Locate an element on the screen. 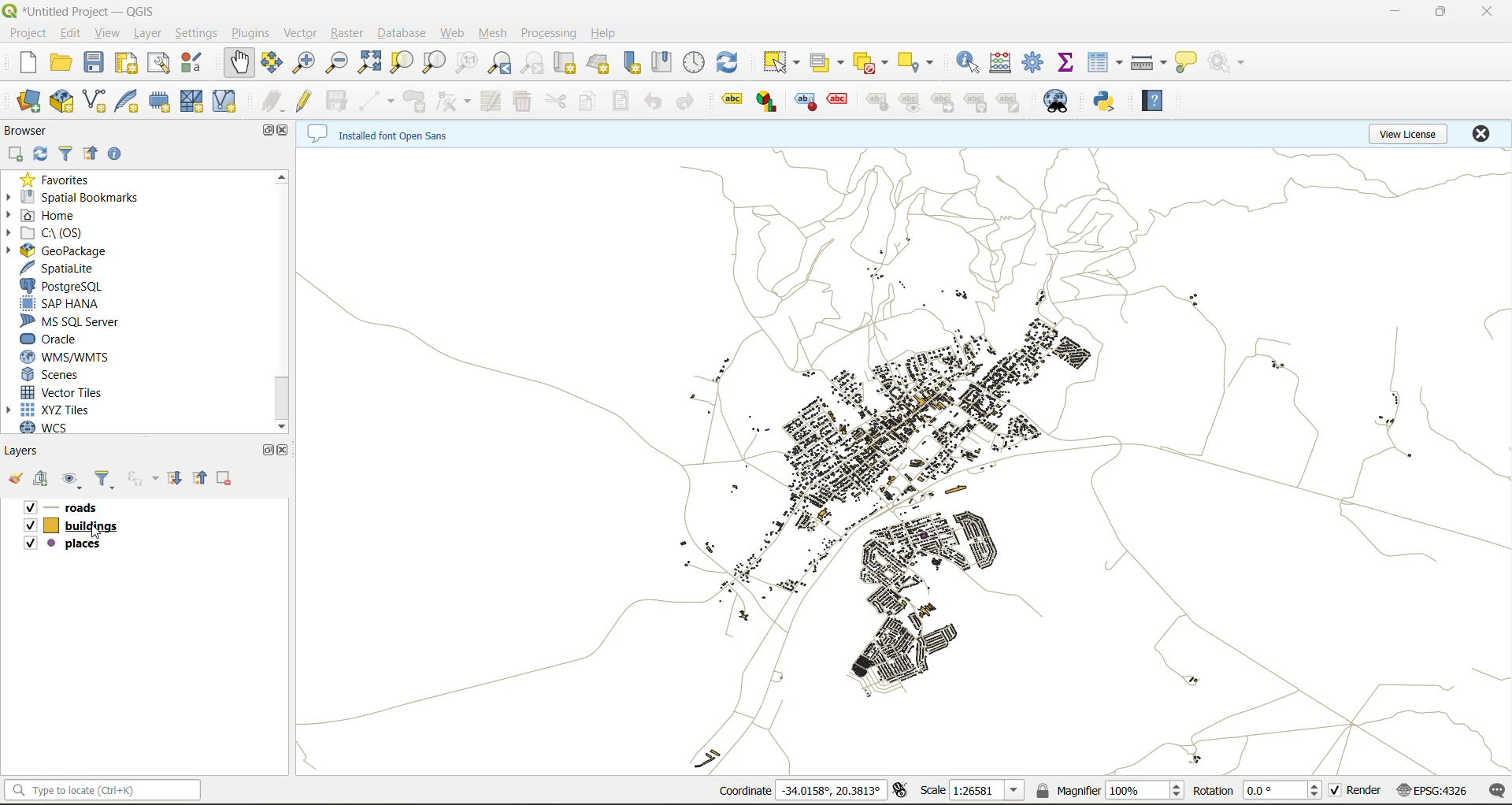  copy is located at coordinates (589, 104).